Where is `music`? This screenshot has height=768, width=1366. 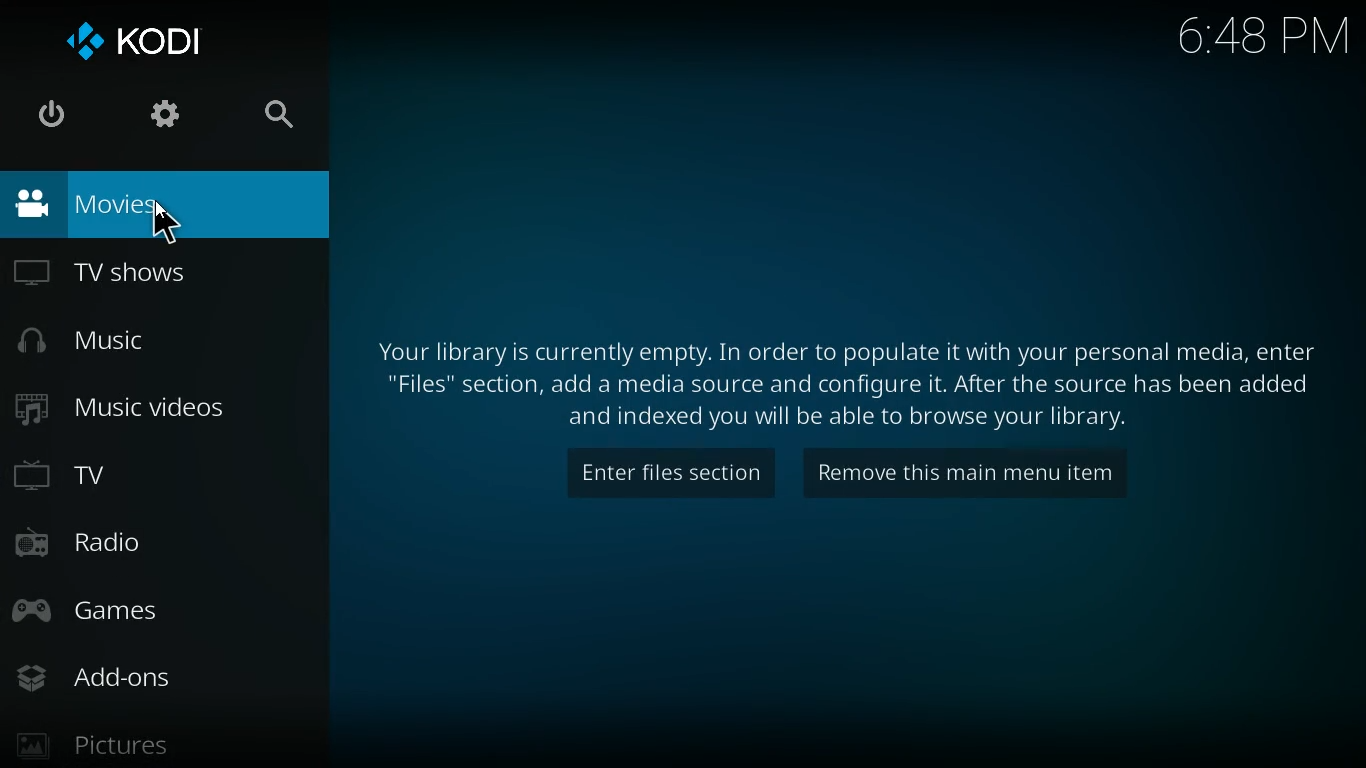
music is located at coordinates (148, 343).